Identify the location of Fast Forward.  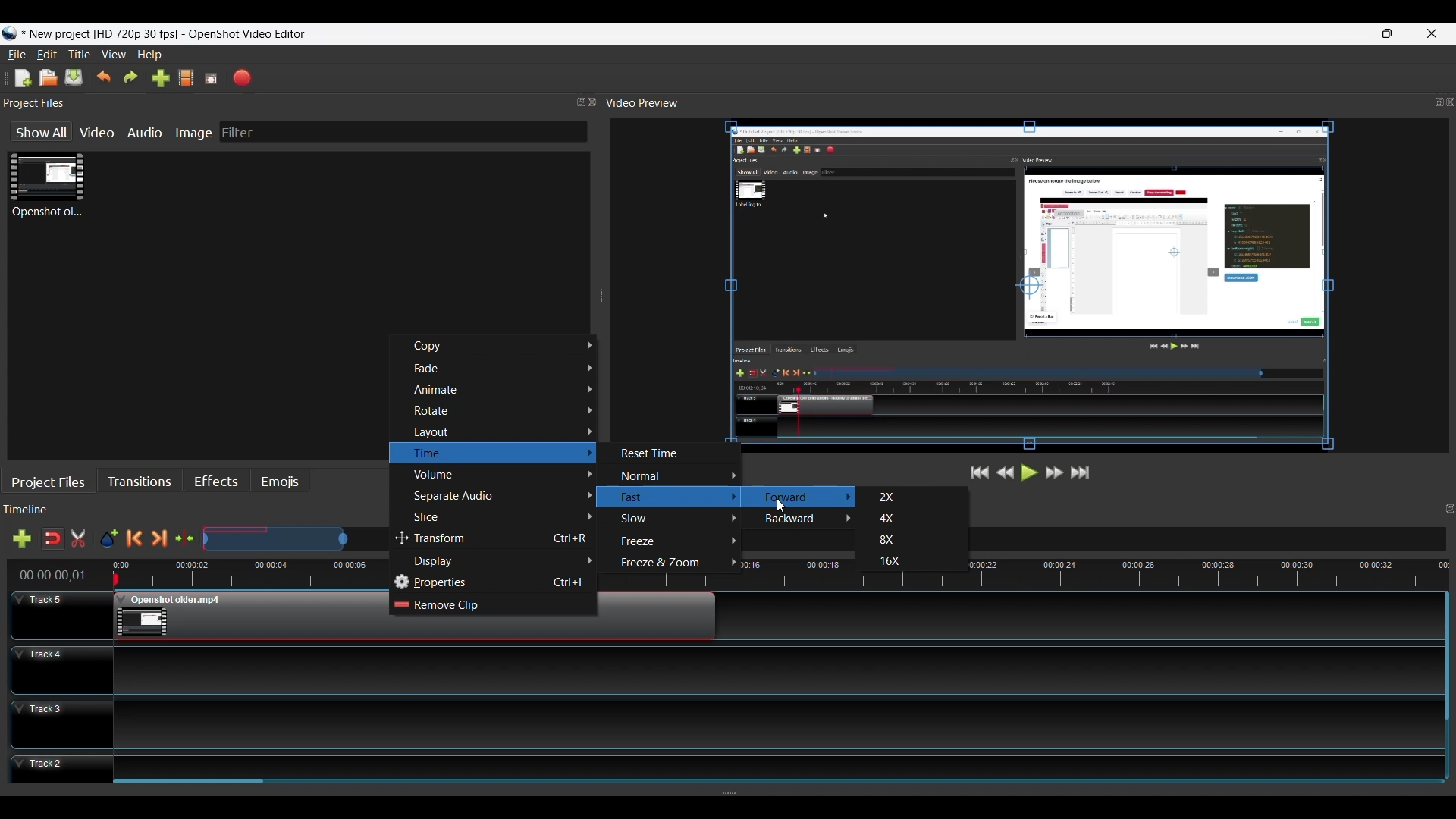
(1052, 472).